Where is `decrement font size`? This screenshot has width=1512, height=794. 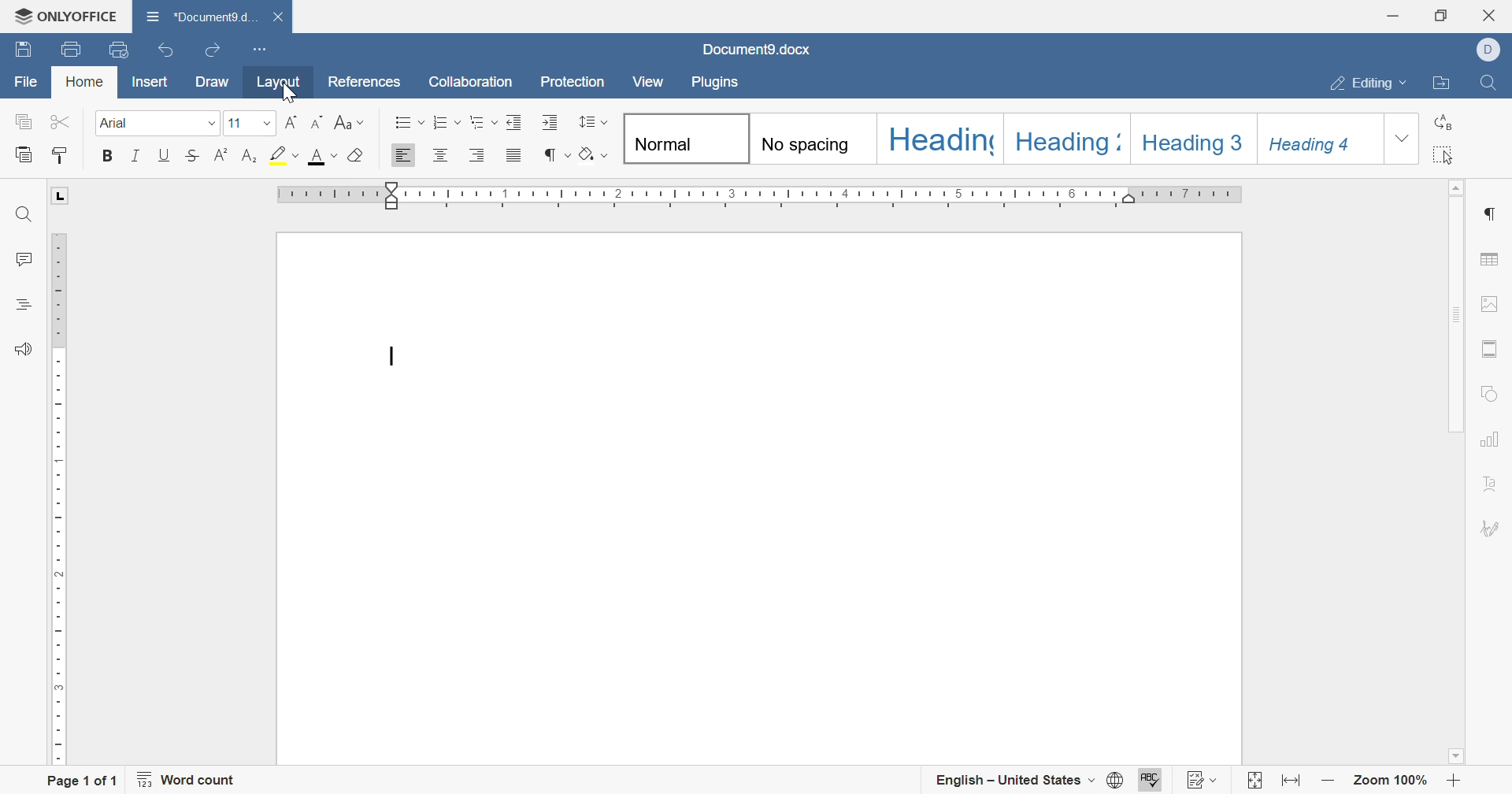
decrement font size is located at coordinates (316, 124).